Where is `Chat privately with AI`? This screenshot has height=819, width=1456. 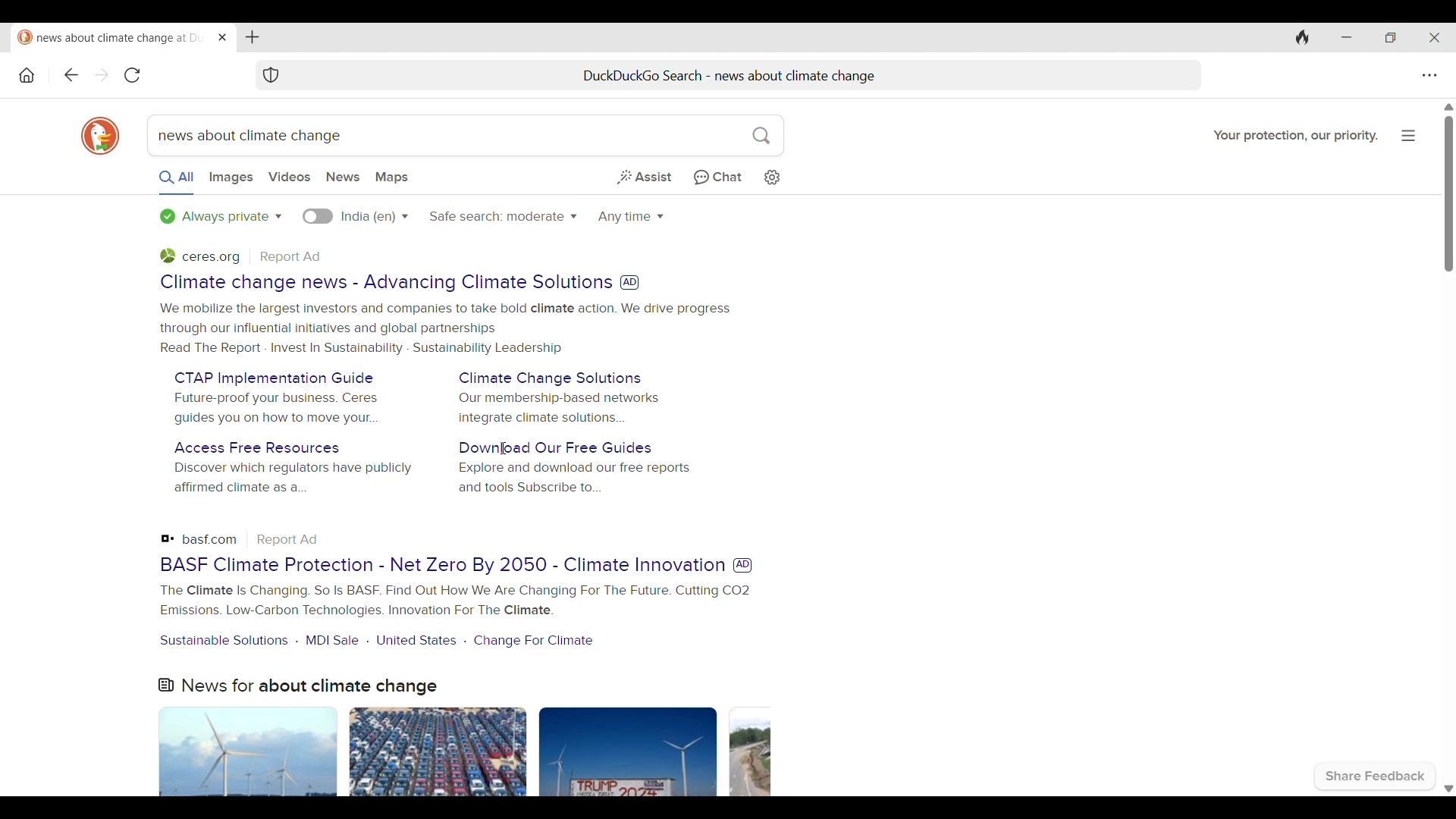 Chat privately with AI is located at coordinates (718, 178).